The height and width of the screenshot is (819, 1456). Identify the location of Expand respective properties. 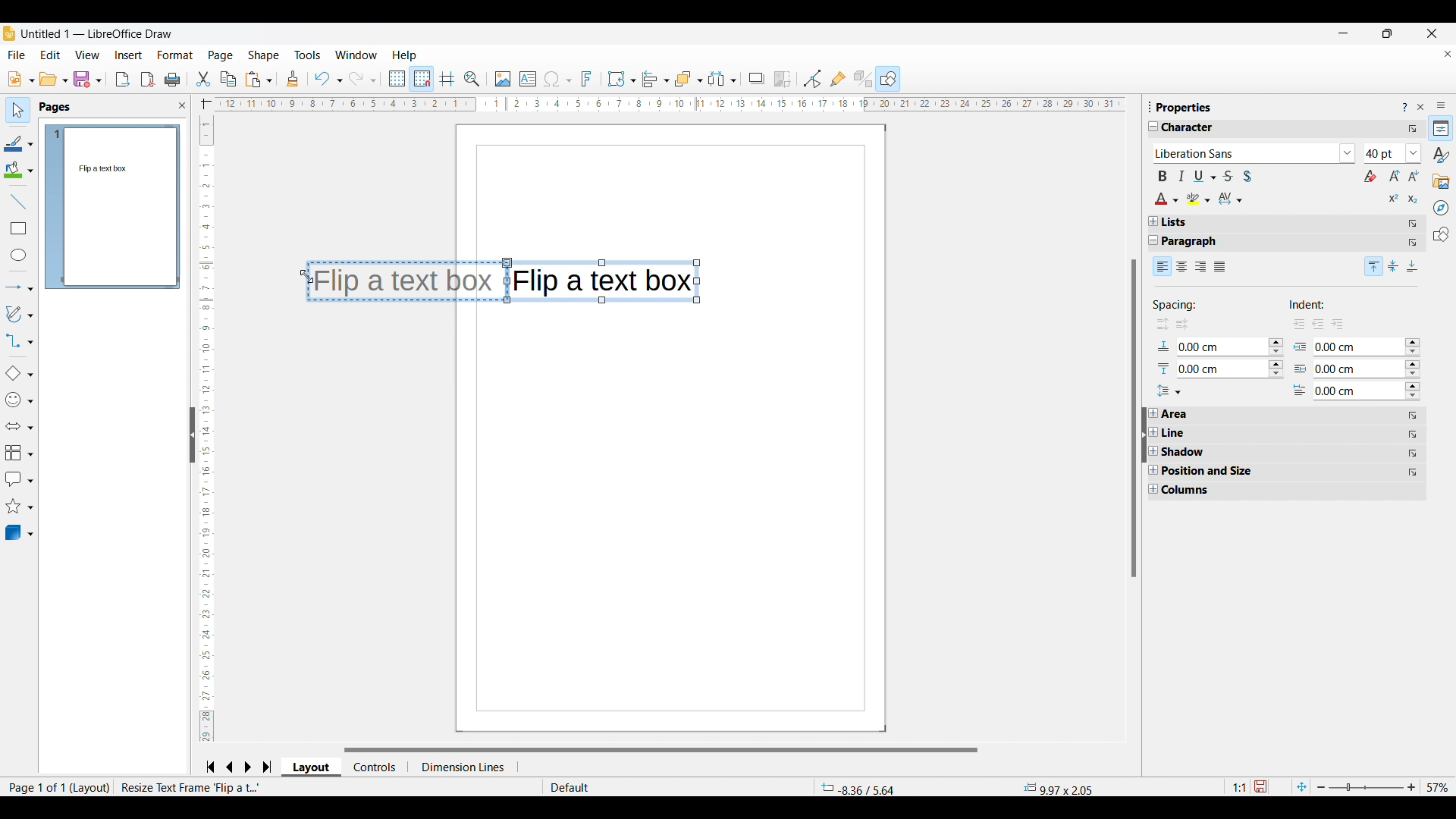
(1153, 451).